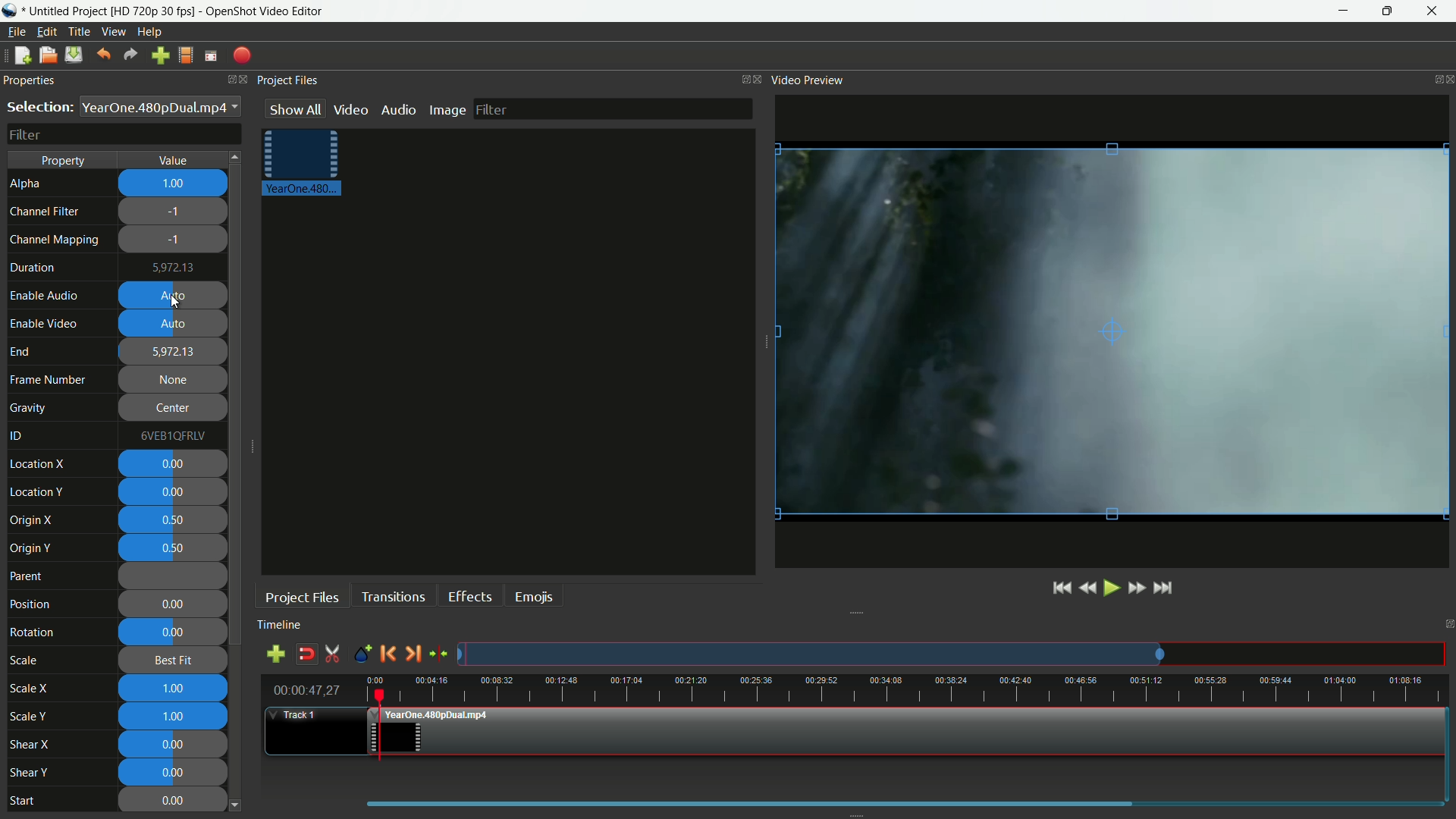  I want to click on 1.00, so click(174, 689).